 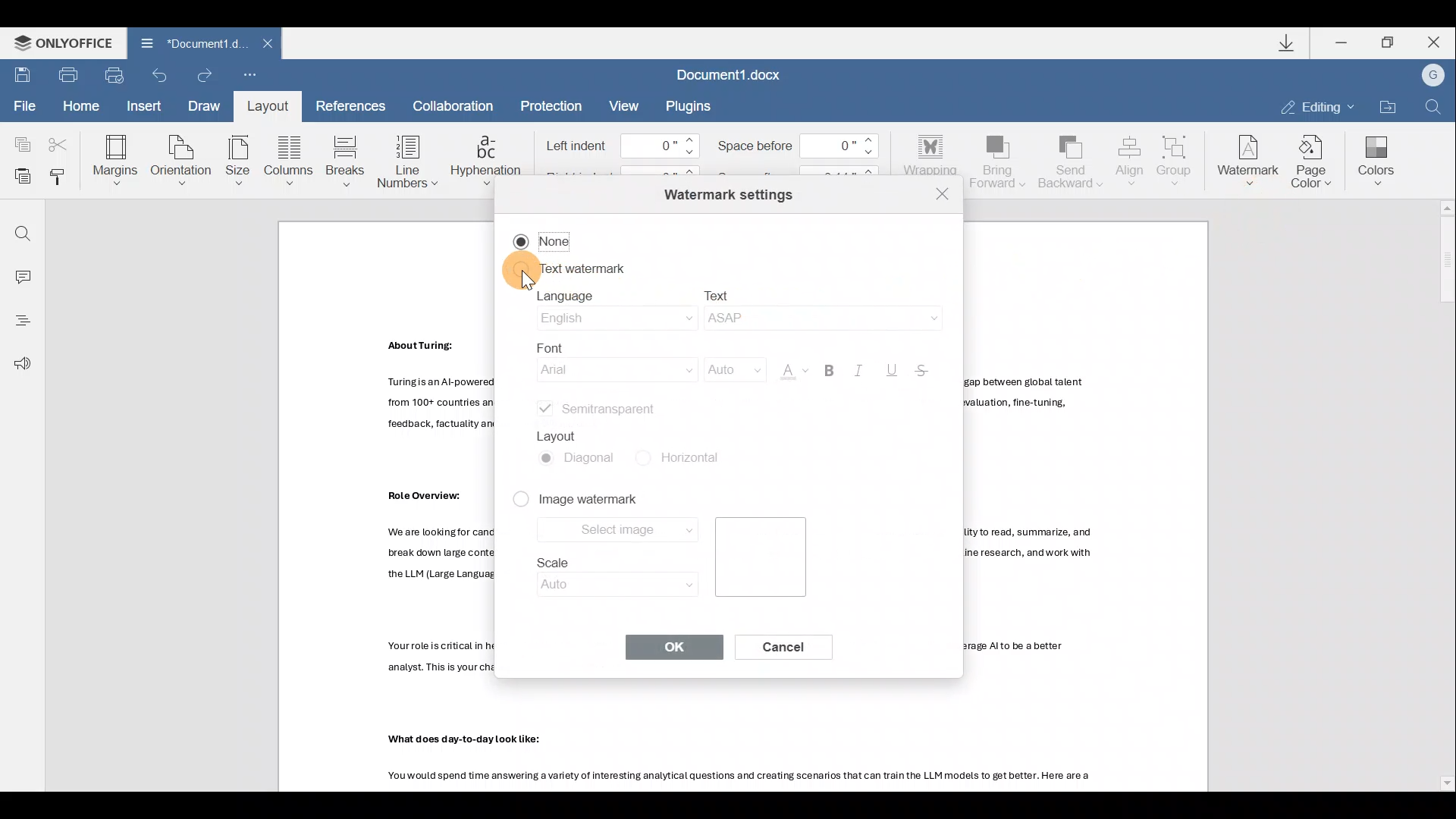 What do you see at coordinates (761, 560) in the screenshot?
I see `Image preview` at bounding box center [761, 560].